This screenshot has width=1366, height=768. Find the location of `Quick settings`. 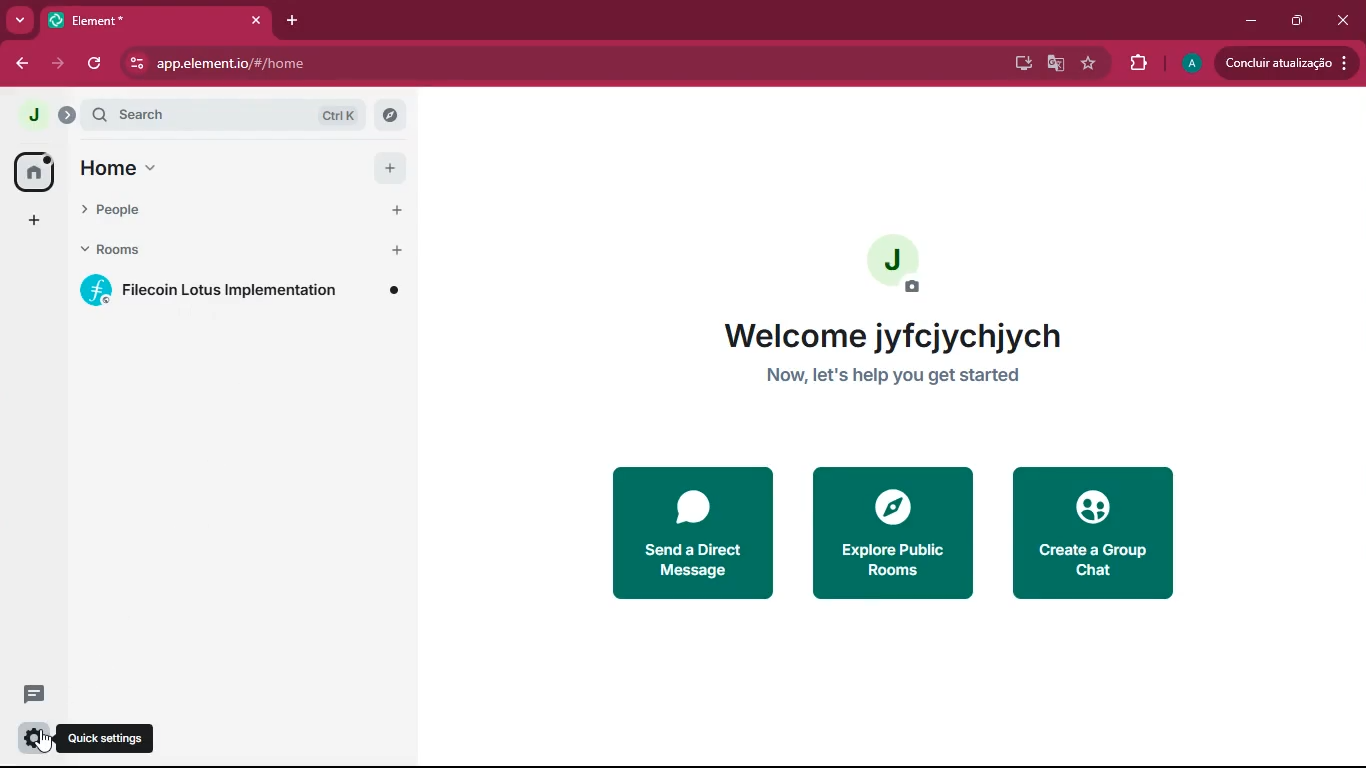

Quick settings is located at coordinates (108, 738).